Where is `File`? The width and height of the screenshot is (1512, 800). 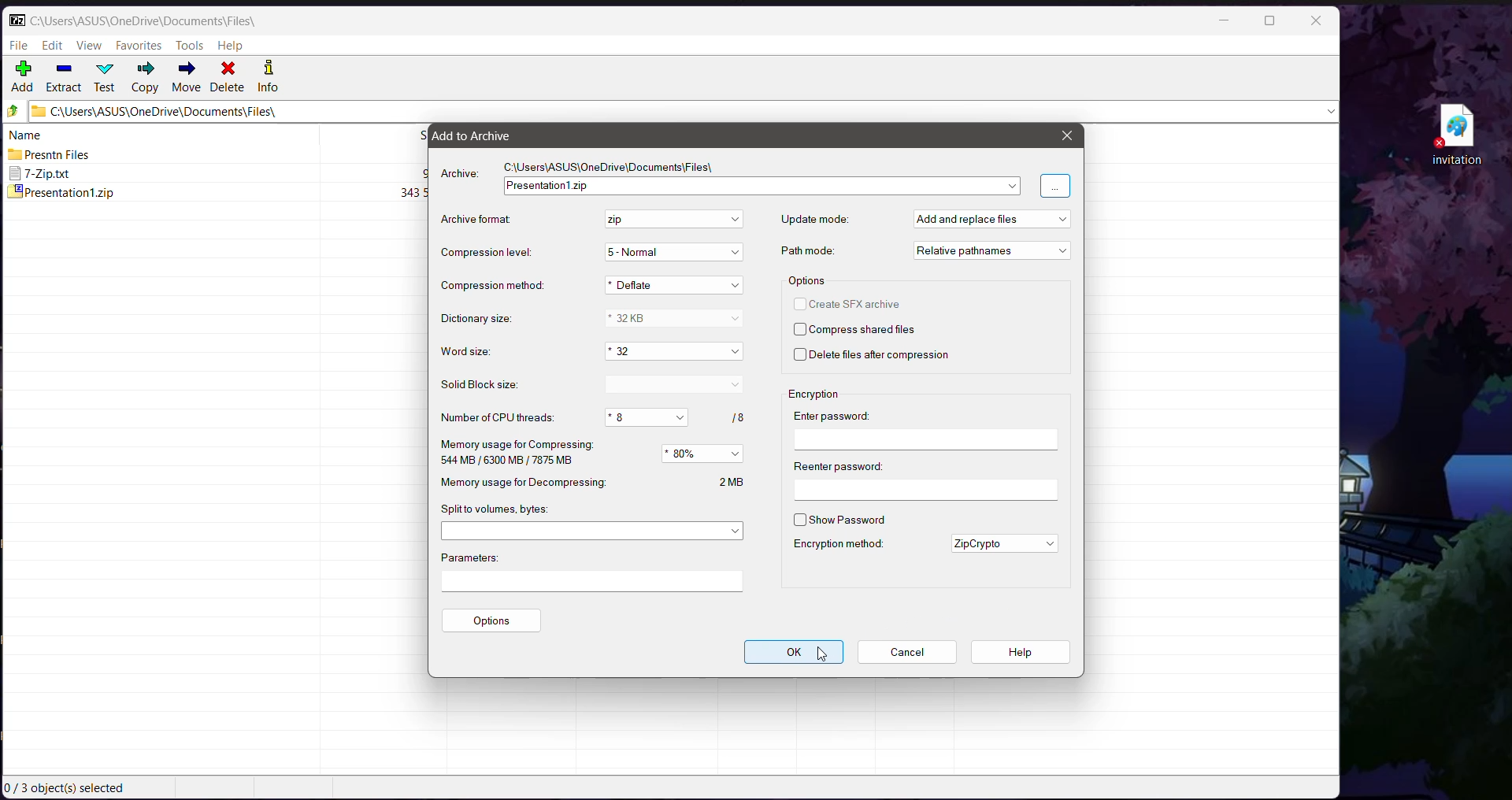 File is located at coordinates (20, 44).